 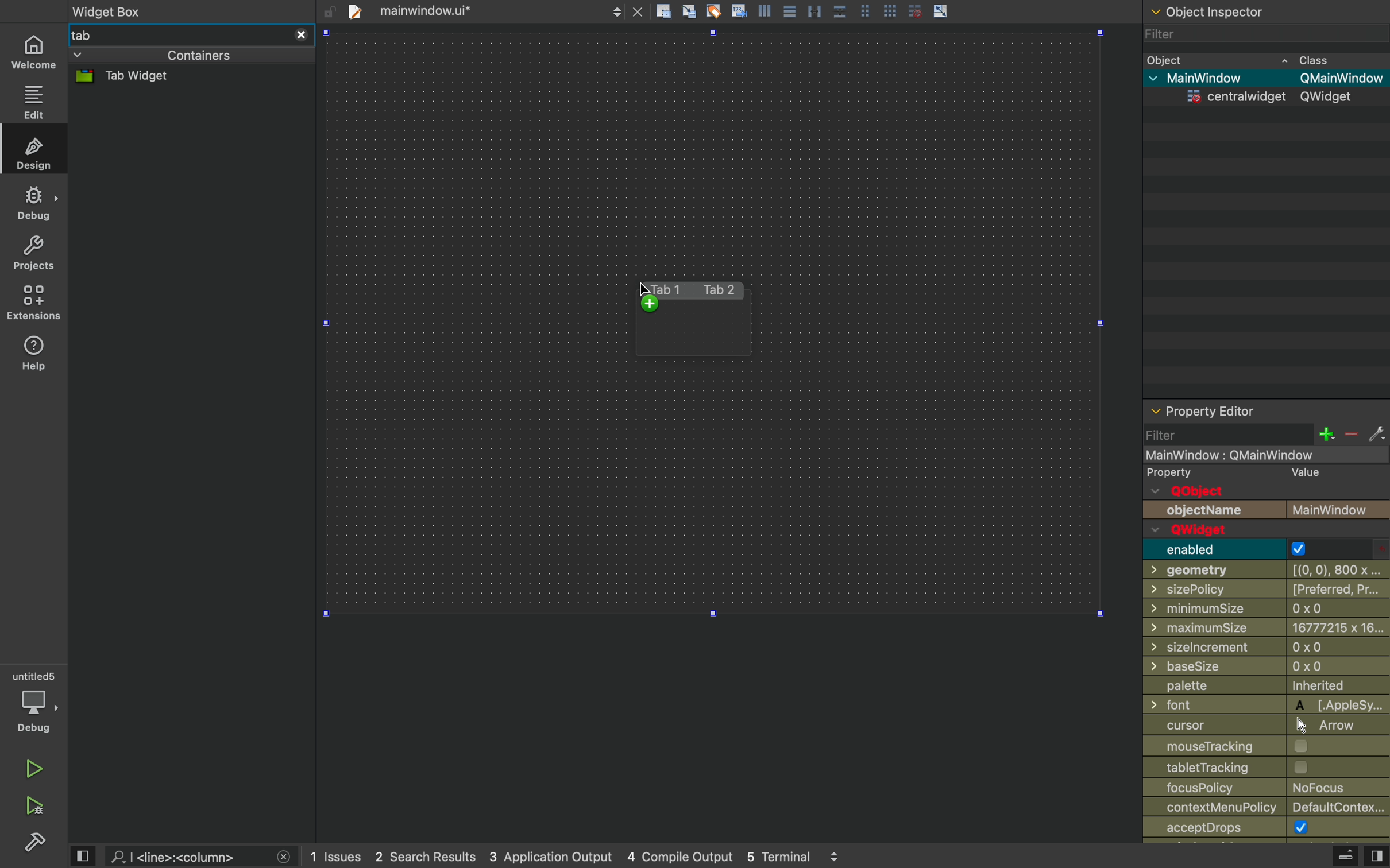 I want to click on align left, so click(x=764, y=10).